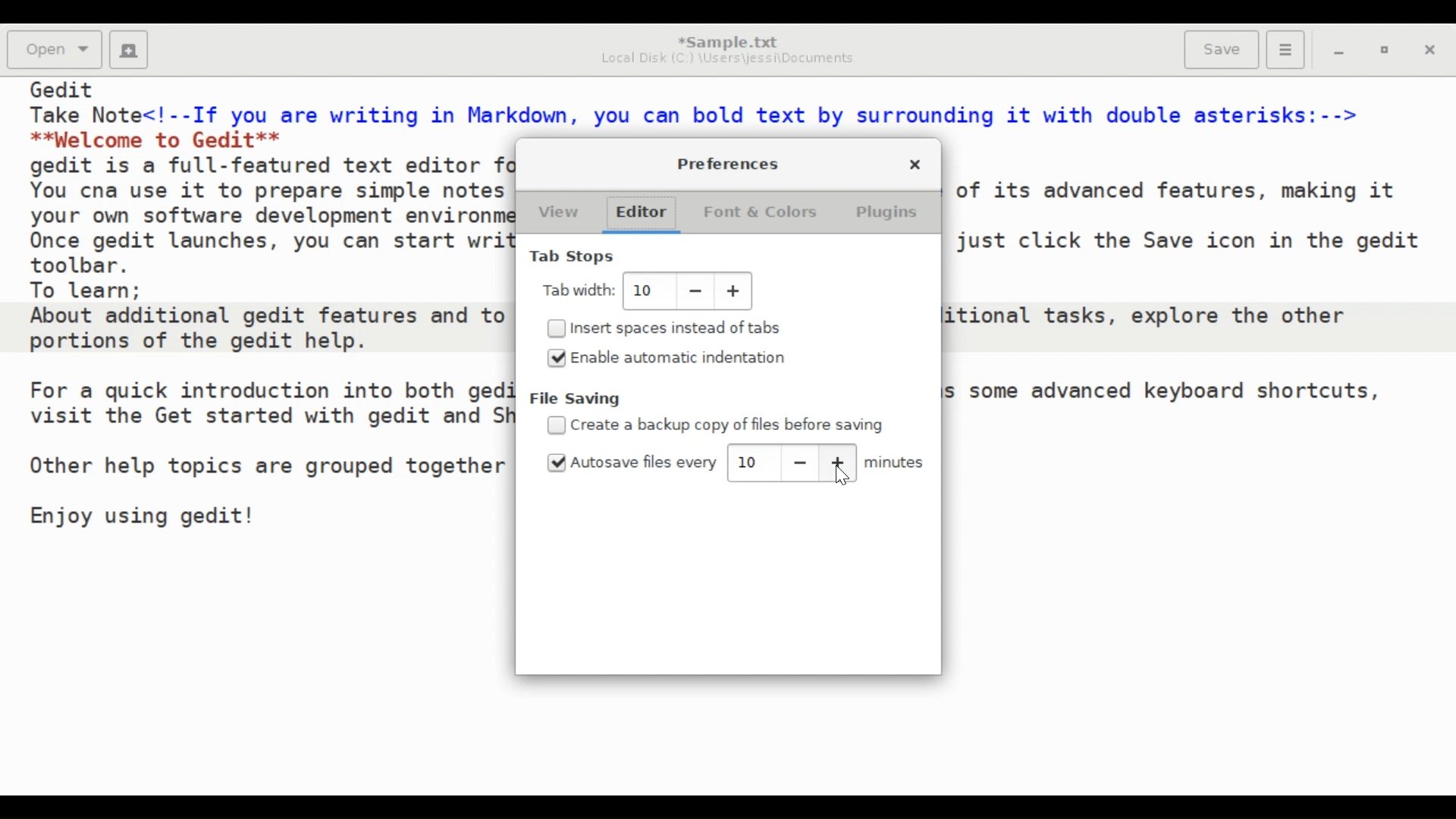 This screenshot has width=1456, height=819. Describe the element at coordinates (56, 50) in the screenshot. I see `Open` at that location.